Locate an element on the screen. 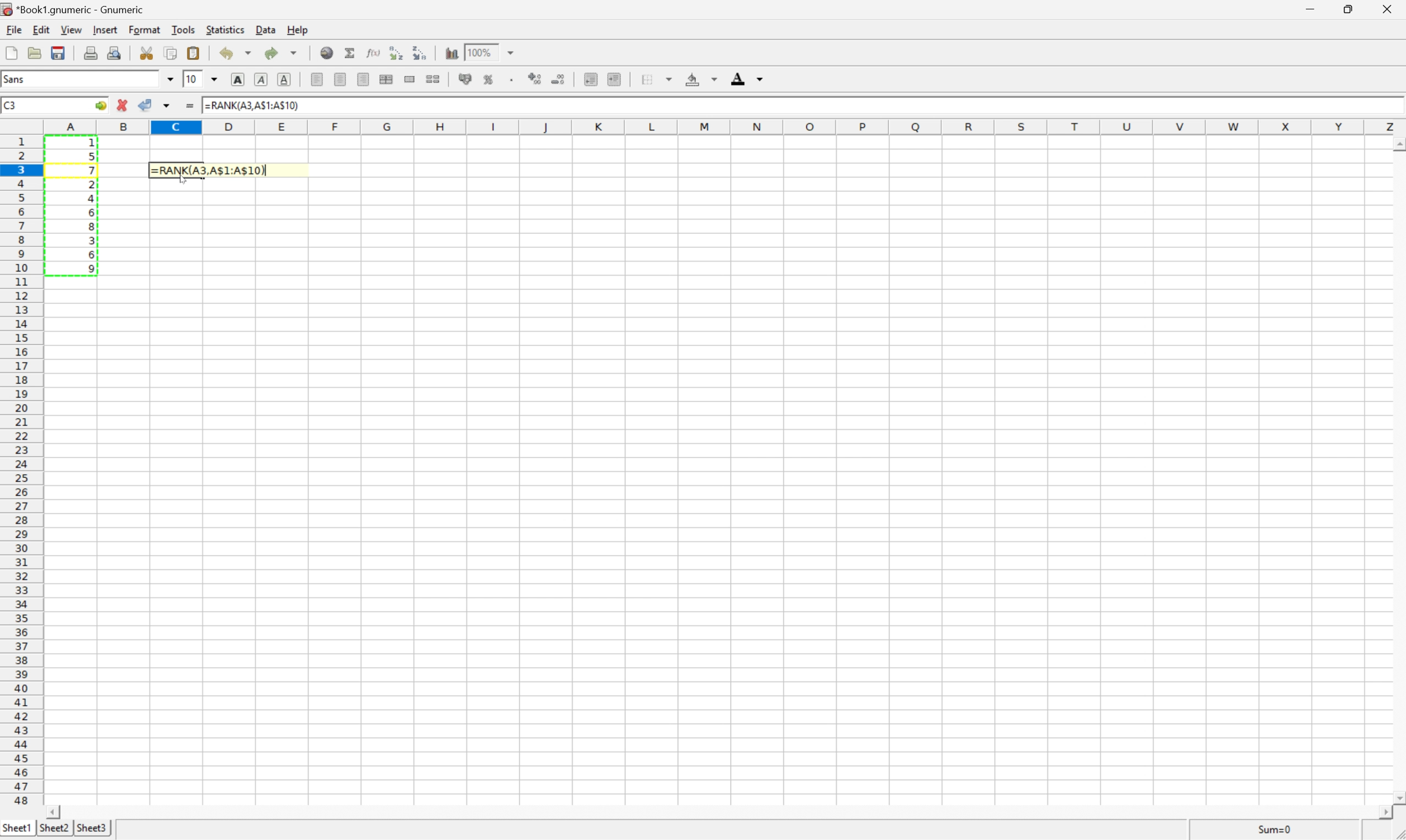  Set the format of the selected cells to include a thousands separator is located at coordinates (511, 80).